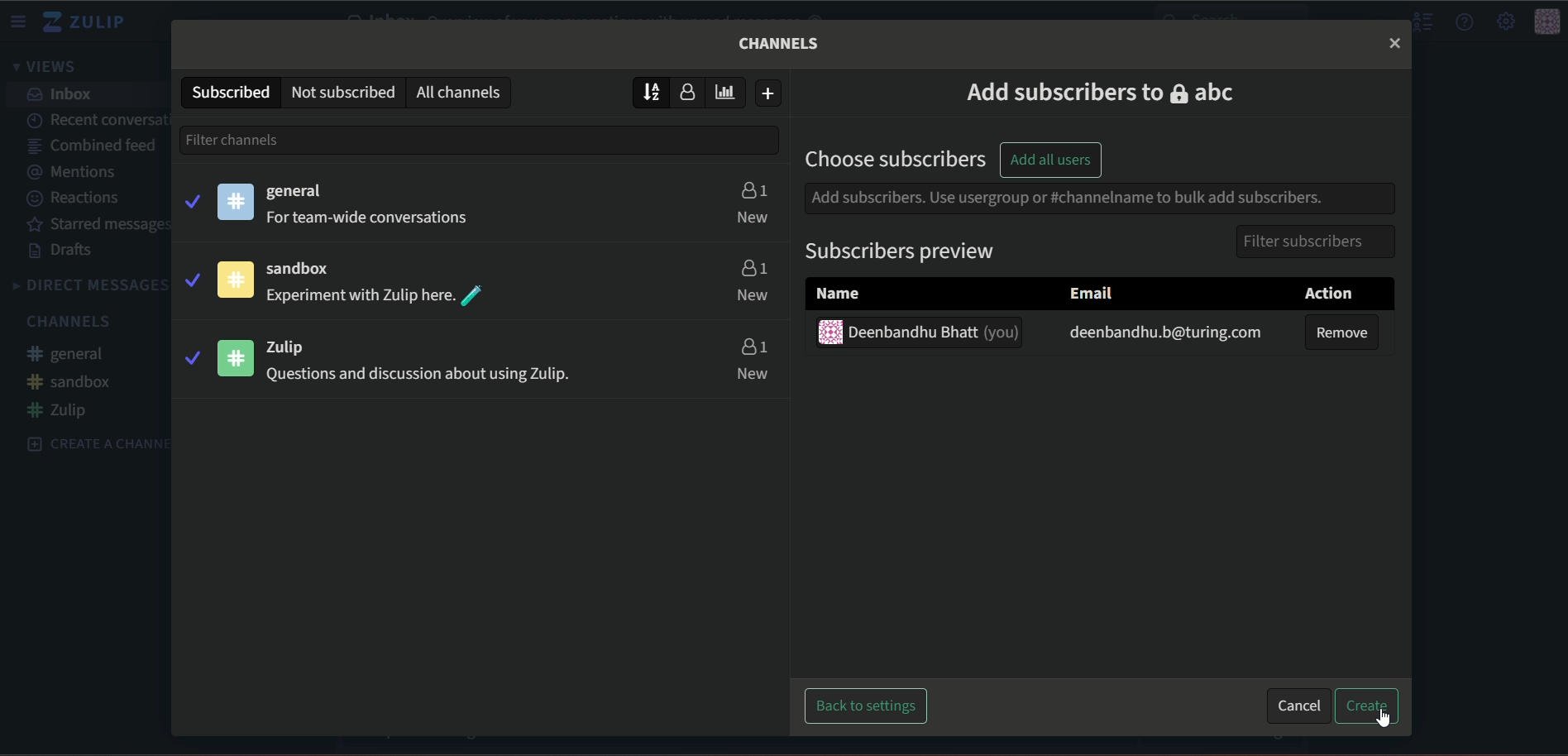 The image size is (1568, 756). What do you see at coordinates (88, 285) in the screenshot?
I see `direct messages` at bounding box center [88, 285].